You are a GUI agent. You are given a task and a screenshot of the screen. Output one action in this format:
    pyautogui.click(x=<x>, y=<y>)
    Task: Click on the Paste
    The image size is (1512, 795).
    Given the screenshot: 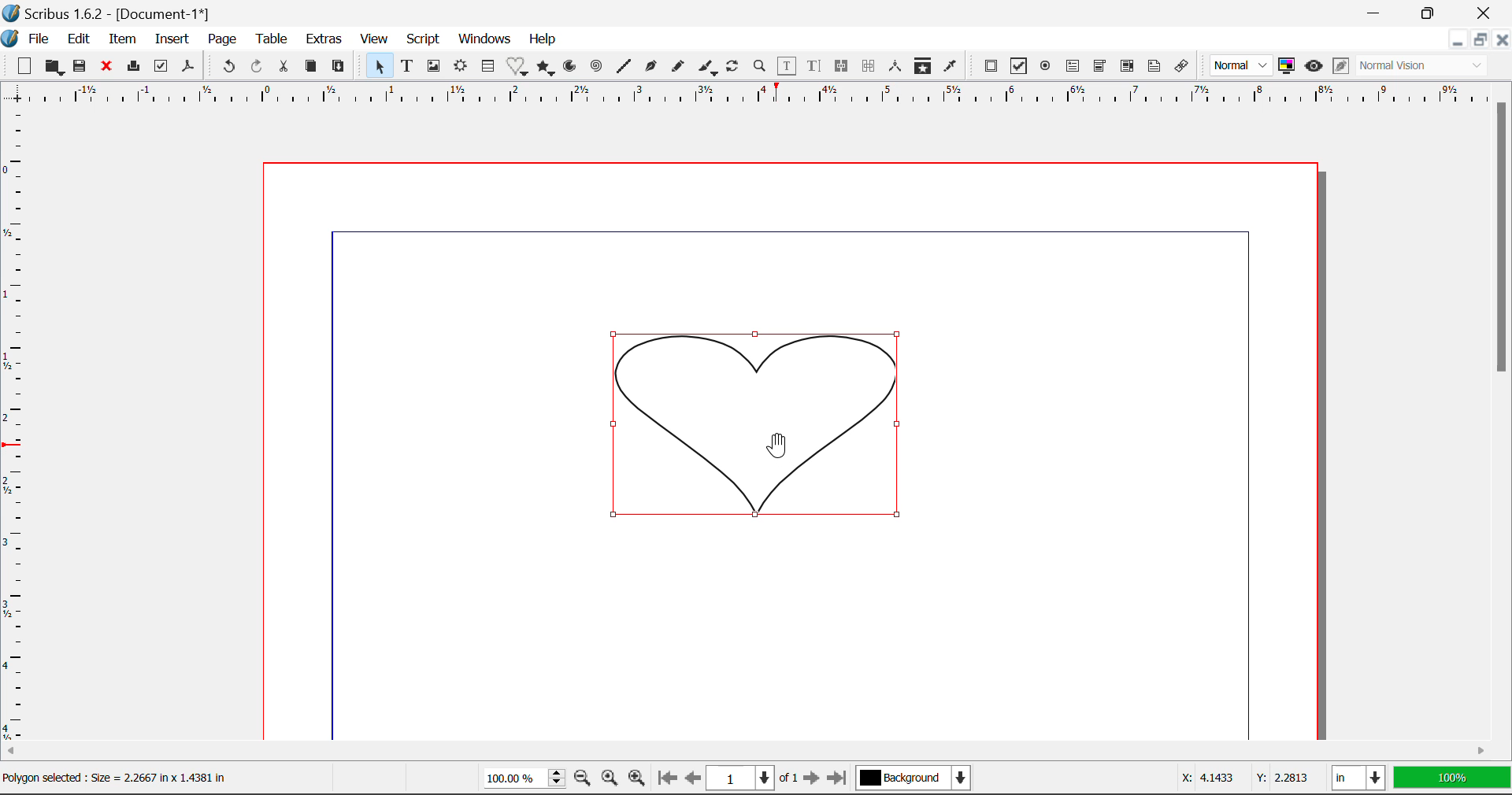 What is the action you would take?
    pyautogui.click(x=342, y=65)
    